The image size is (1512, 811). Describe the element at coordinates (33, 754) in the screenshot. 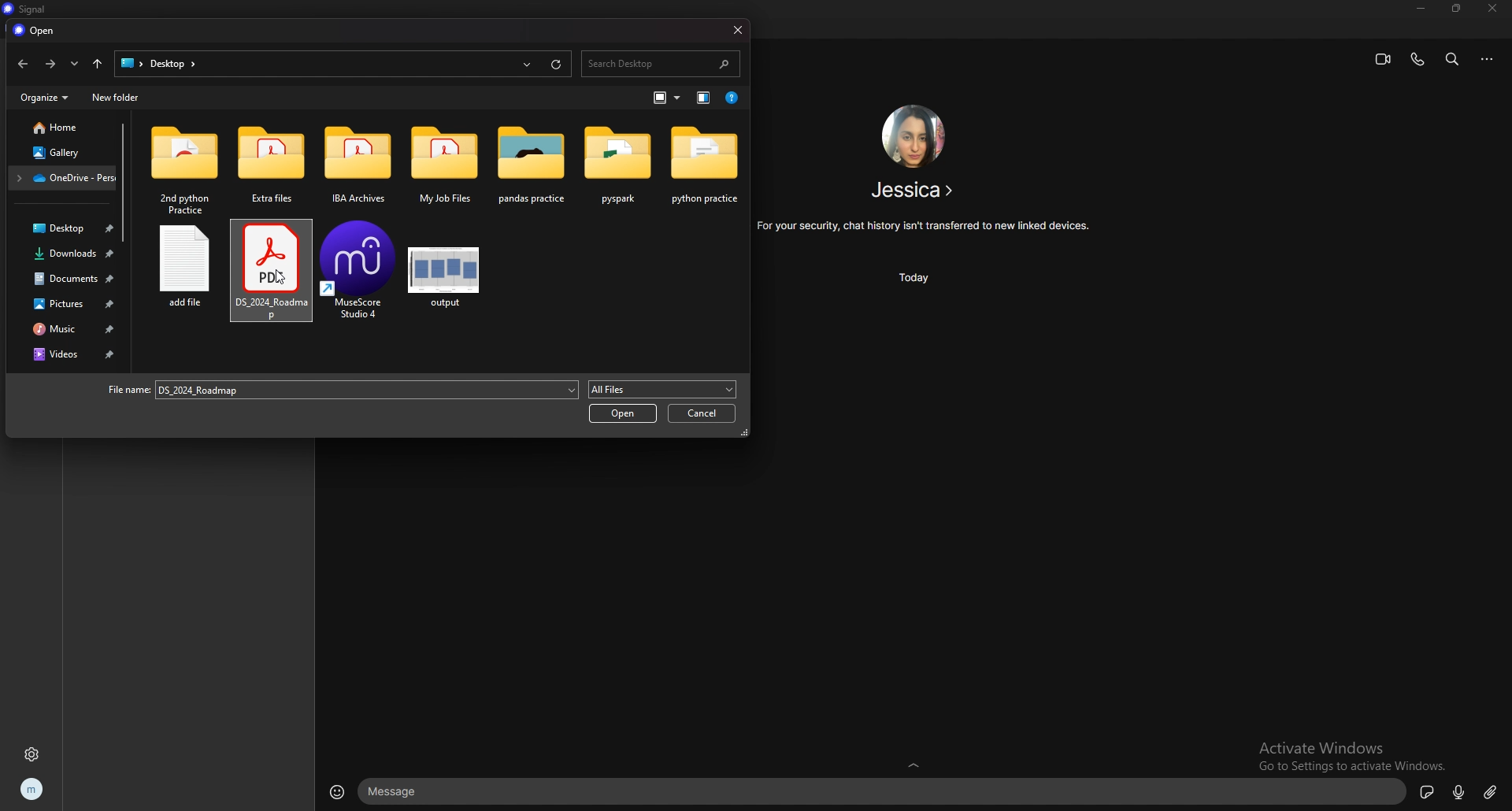

I see `settings` at that location.